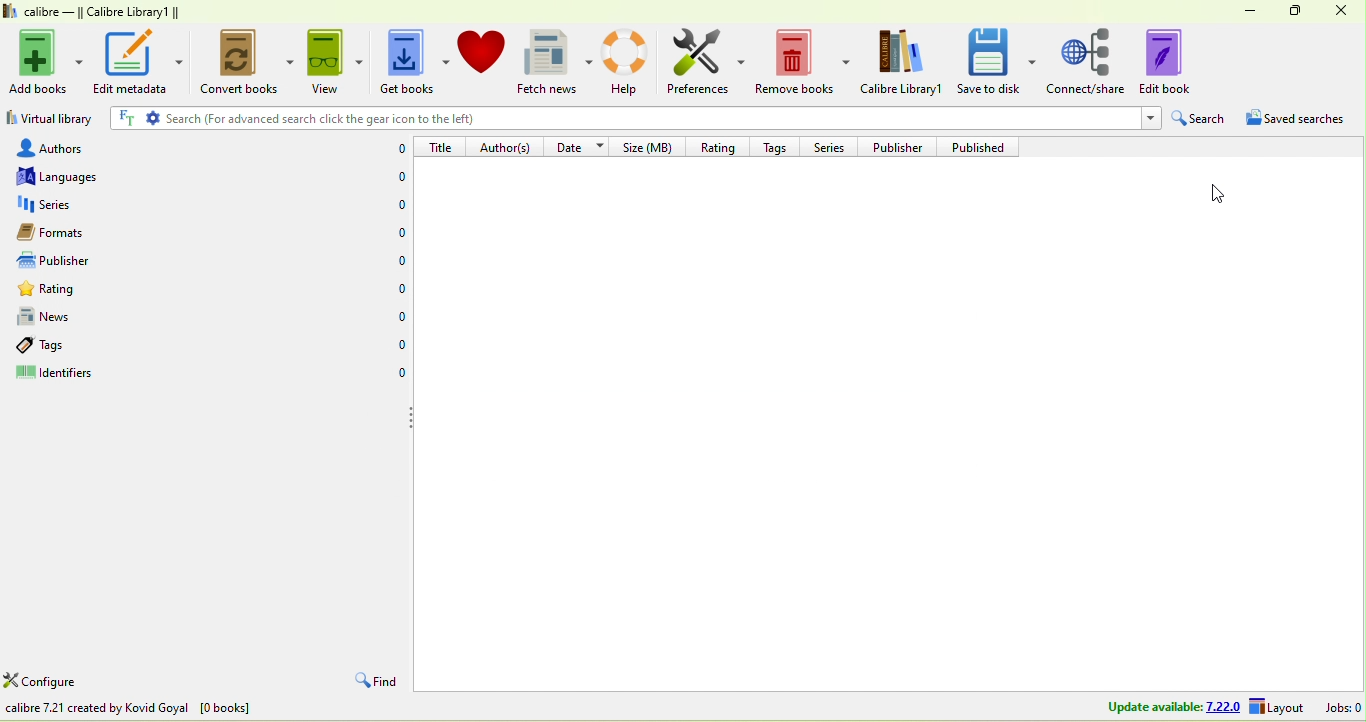 The image size is (1366, 722). What do you see at coordinates (1200, 119) in the screenshot?
I see `search` at bounding box center [1200, 119].